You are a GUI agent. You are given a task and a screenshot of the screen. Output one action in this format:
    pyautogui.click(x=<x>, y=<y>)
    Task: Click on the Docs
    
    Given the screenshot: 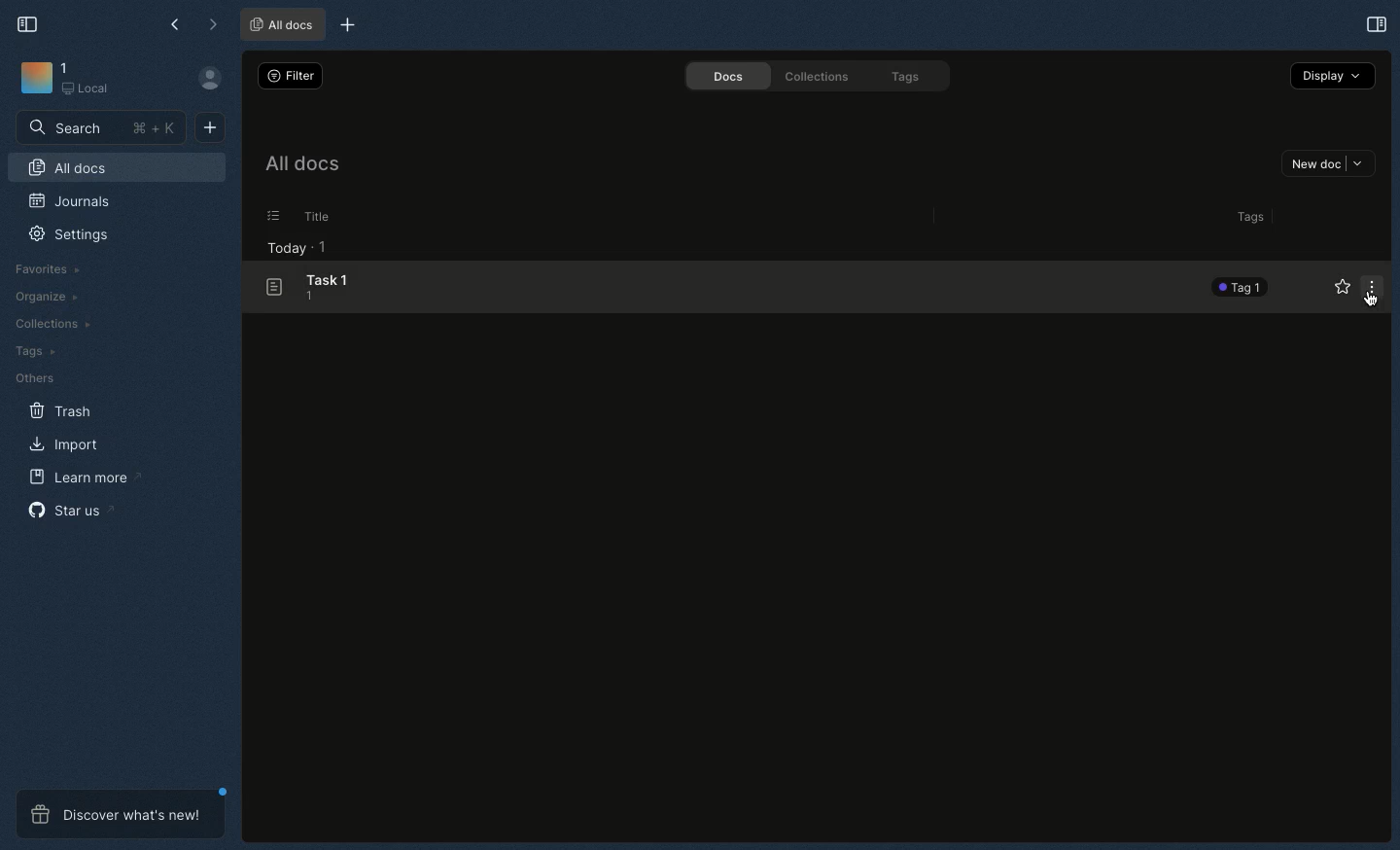 What is the action you would take?
    pyautogui.click(x=722, y=75)
    